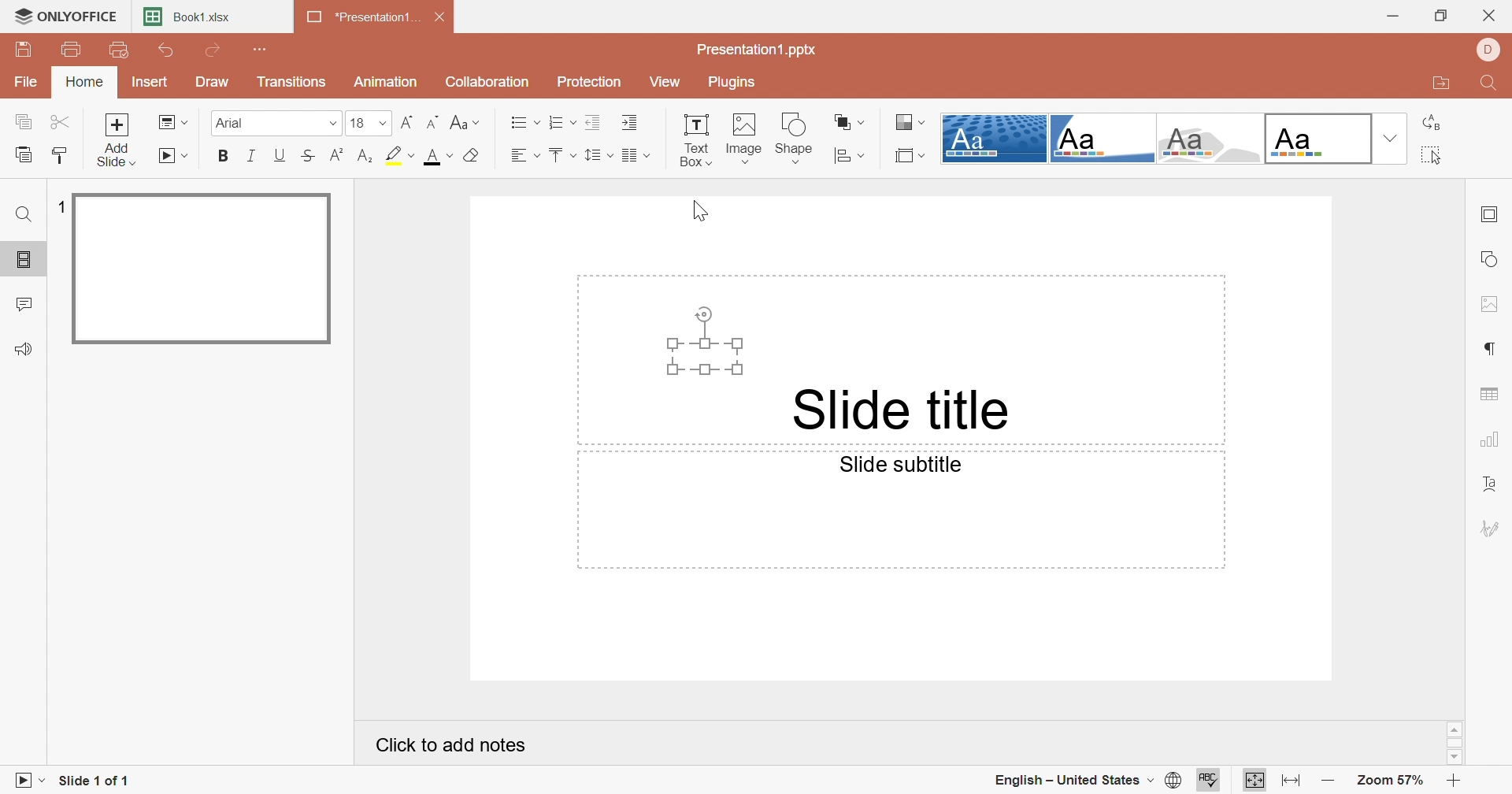  I want to click on Insert, so click(147, 81).